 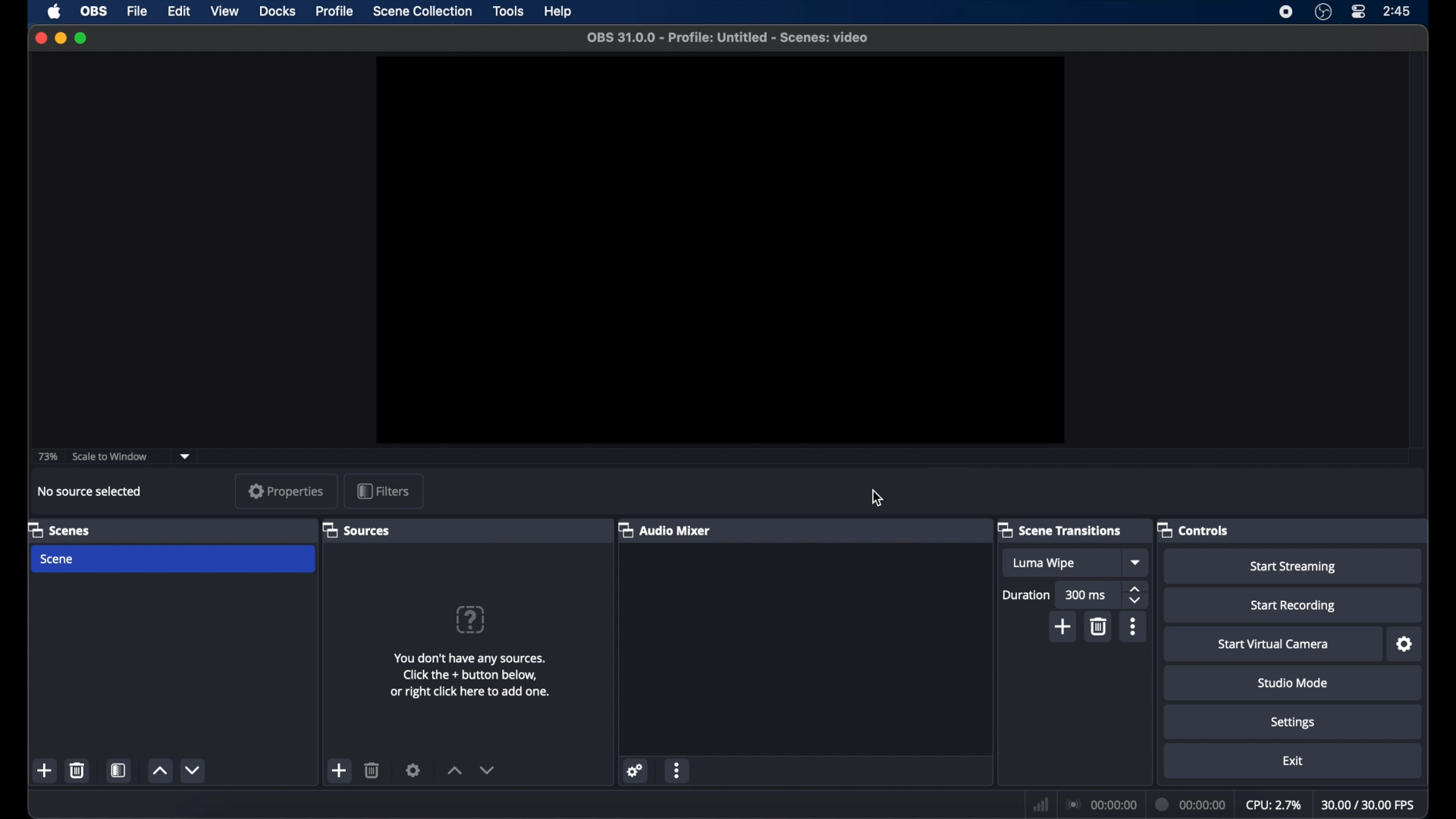 What do you see at coordinates (1323, 12) in the screenshot?
I see `obs studio` at bounding box center [1323, 12].